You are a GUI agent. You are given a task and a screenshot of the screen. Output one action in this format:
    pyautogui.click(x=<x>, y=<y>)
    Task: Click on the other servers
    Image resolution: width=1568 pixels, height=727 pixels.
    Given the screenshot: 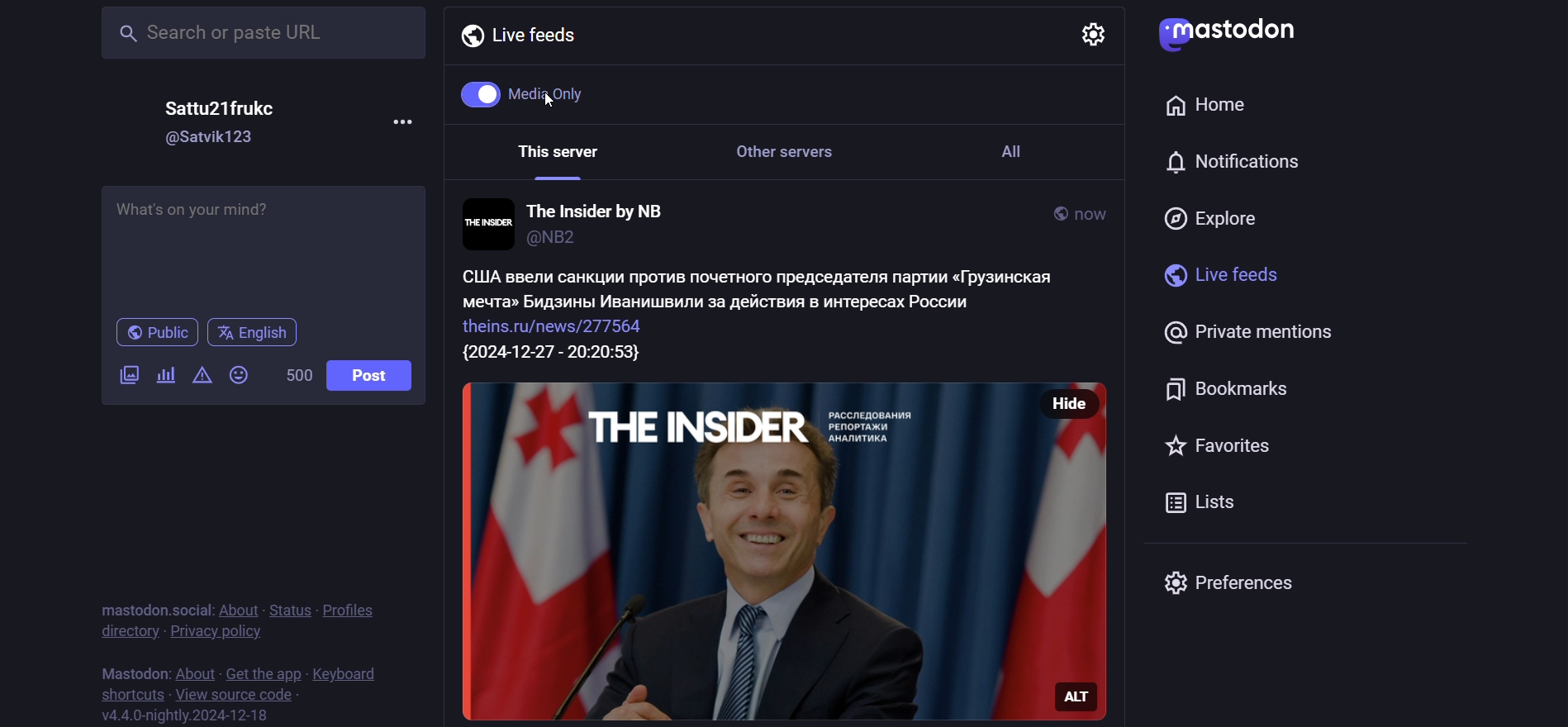 What is the action you would take?
    pyautogui.click(x=794, y=159)
    